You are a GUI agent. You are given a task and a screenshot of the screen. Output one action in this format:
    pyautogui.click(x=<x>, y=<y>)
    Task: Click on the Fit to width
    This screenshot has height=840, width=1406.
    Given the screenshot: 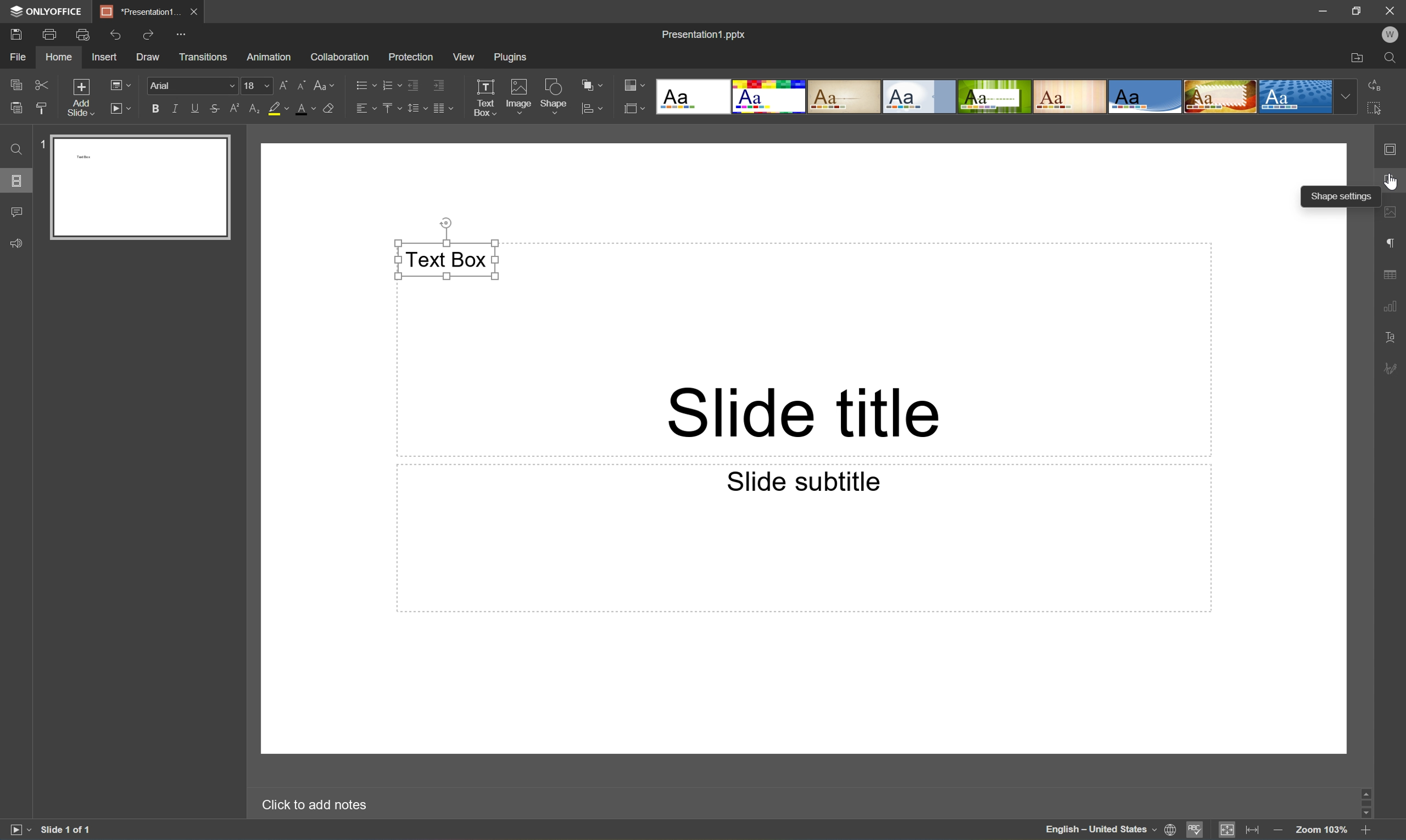 What is the action you would take?
    pyautogui.click(x=1253, y=829)
    